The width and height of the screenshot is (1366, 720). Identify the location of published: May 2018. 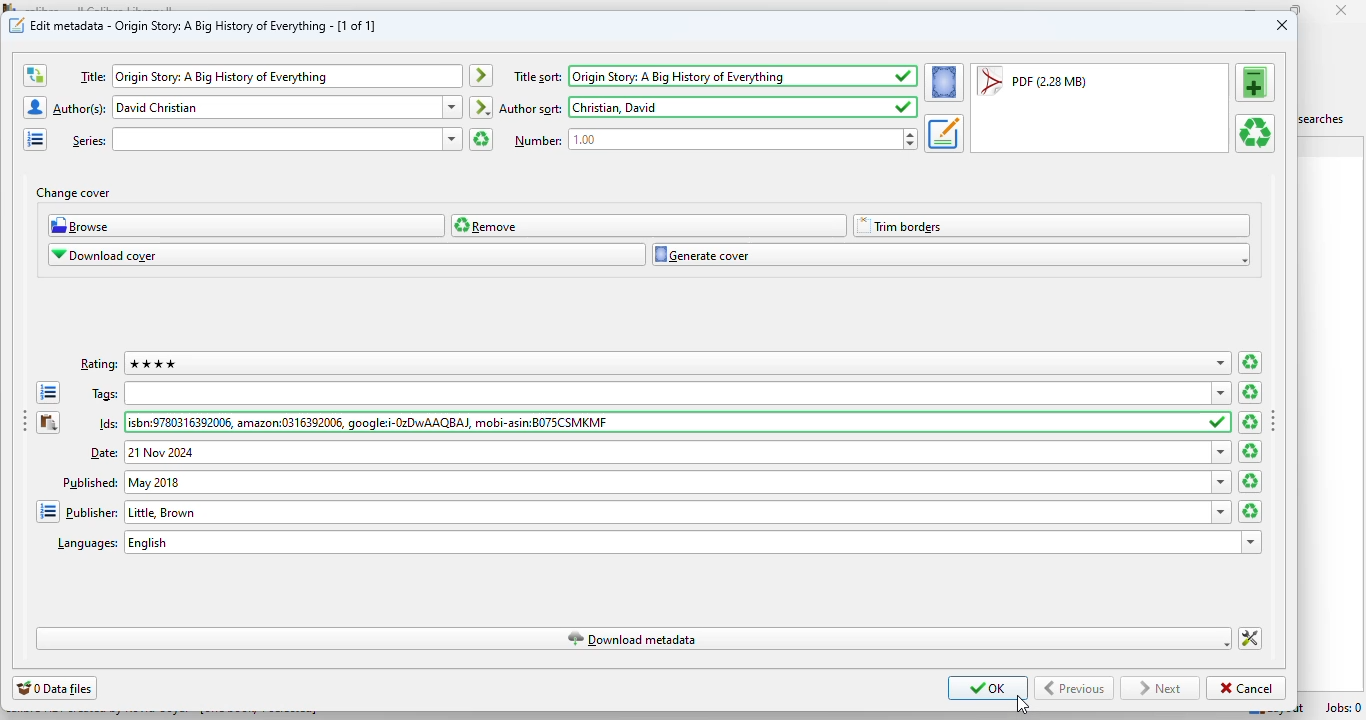
(667, 482).